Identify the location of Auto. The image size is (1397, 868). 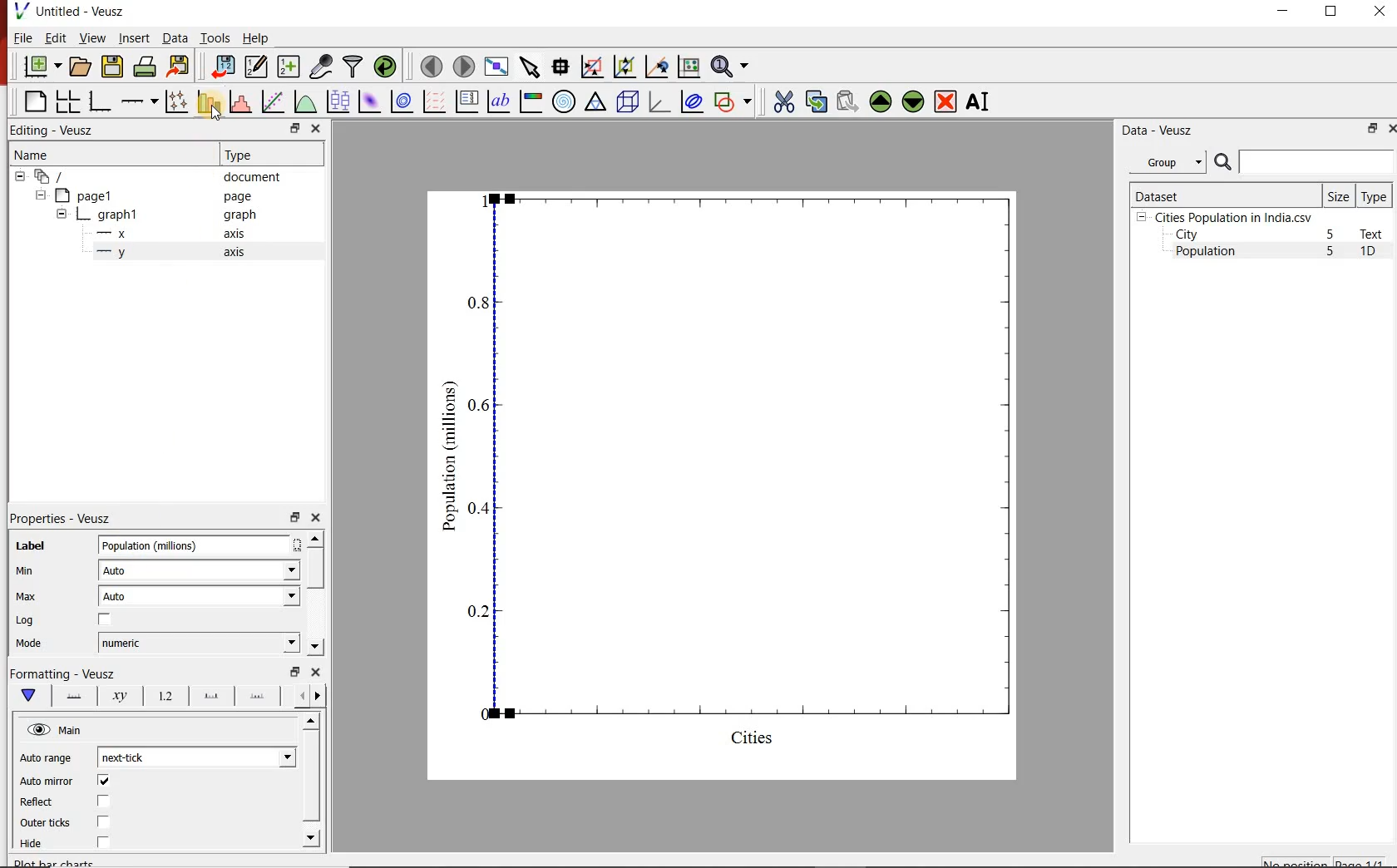
(199, 596).